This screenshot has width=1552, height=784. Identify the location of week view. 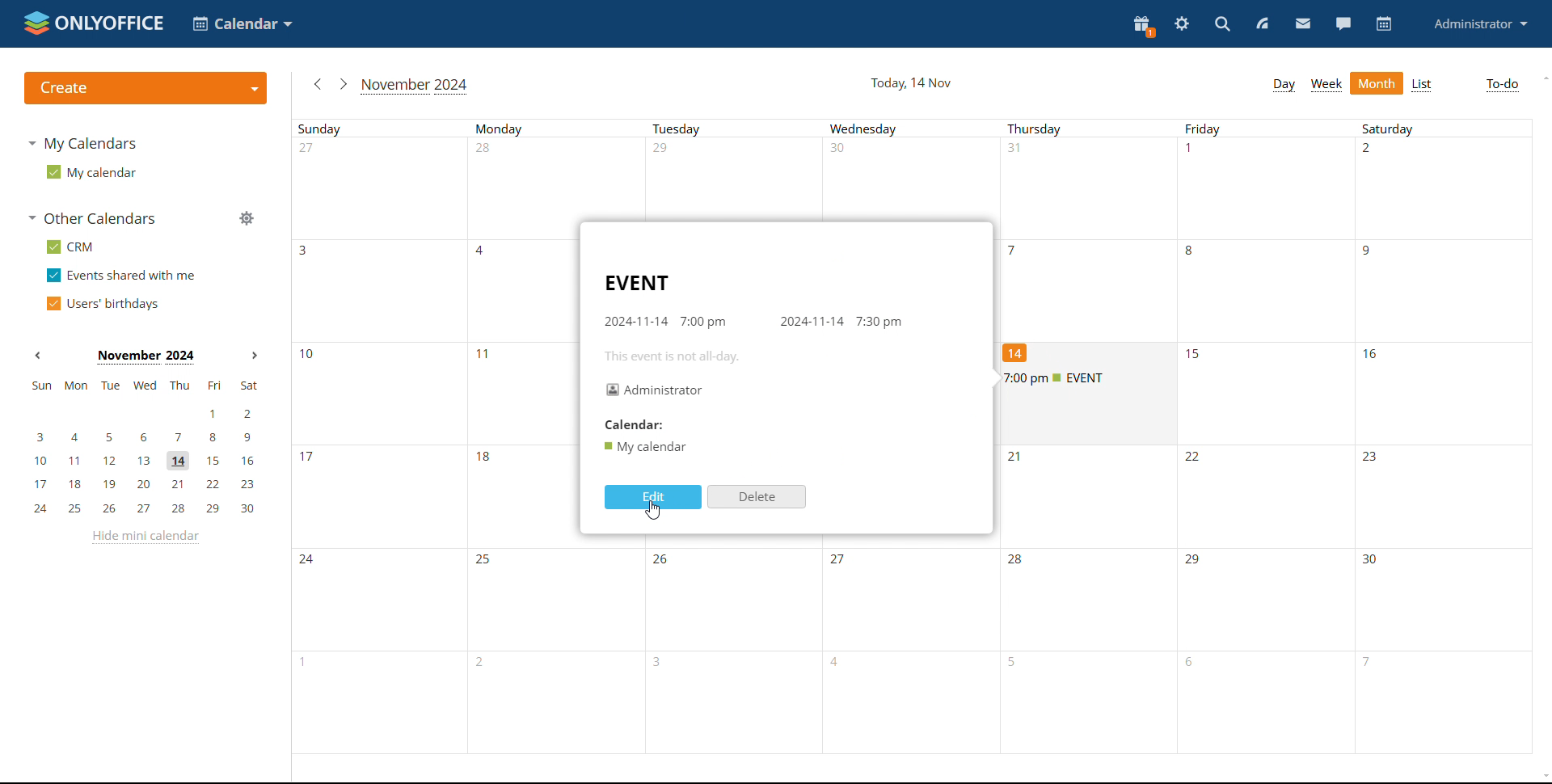
(1326, 84).